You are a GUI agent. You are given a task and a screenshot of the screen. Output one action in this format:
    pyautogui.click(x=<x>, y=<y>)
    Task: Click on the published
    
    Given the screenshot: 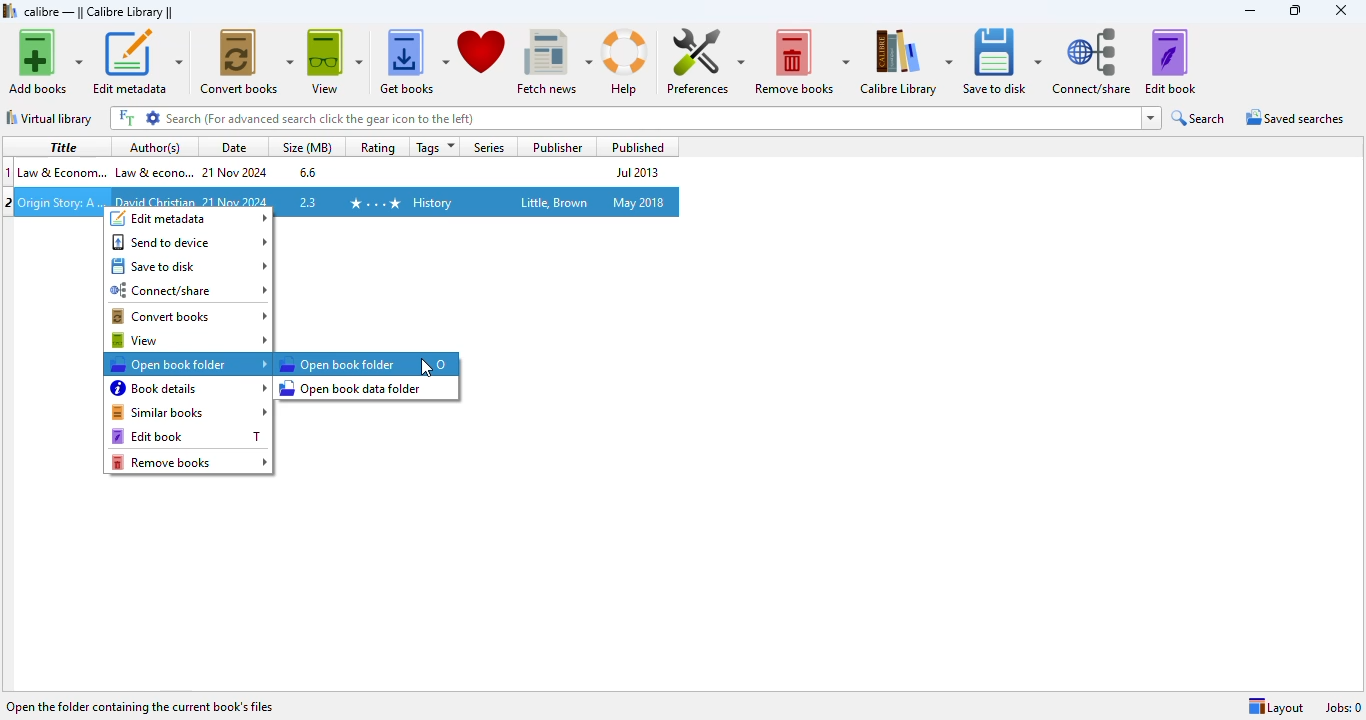 What is the action you would take?
    pyautogui.click(x=634, y=147)
    